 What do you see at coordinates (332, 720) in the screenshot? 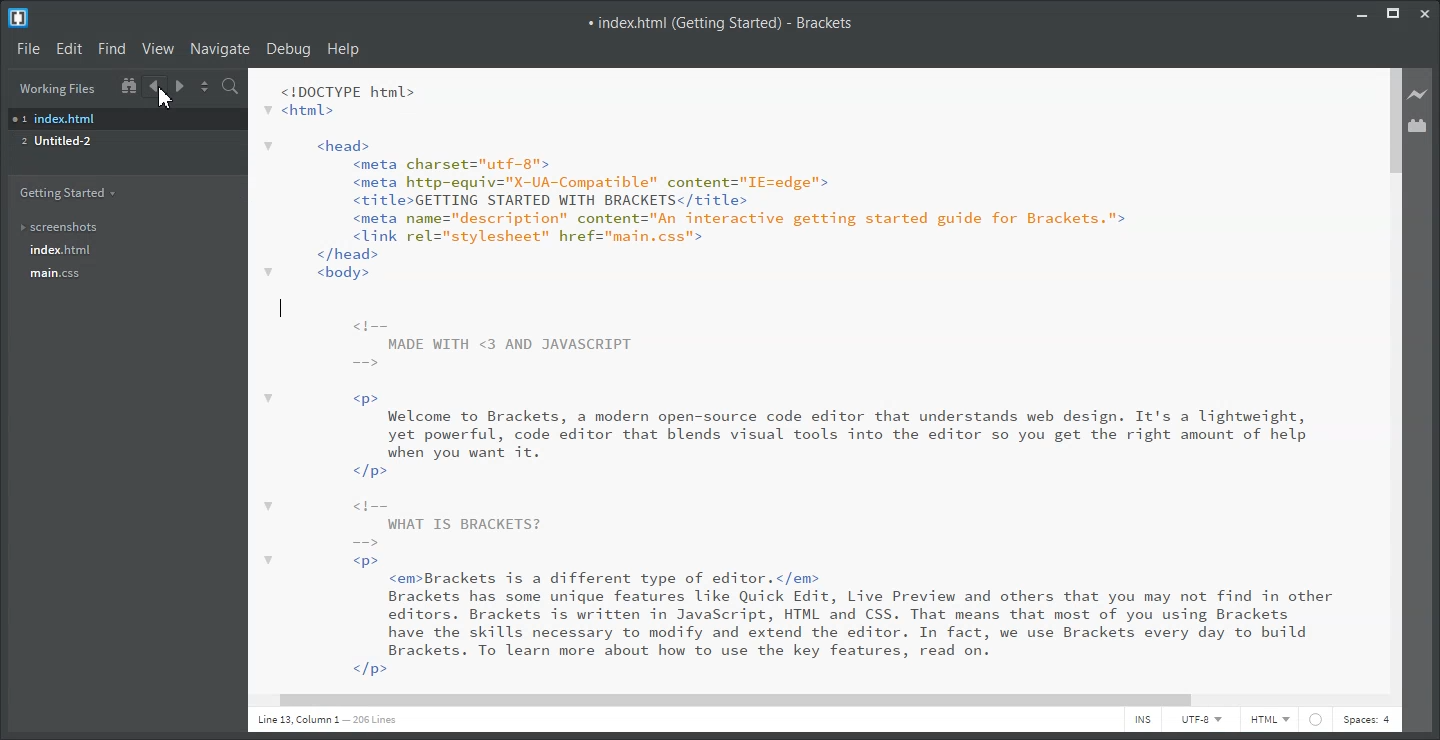
I see `Text` at bounding box center [332, 720].